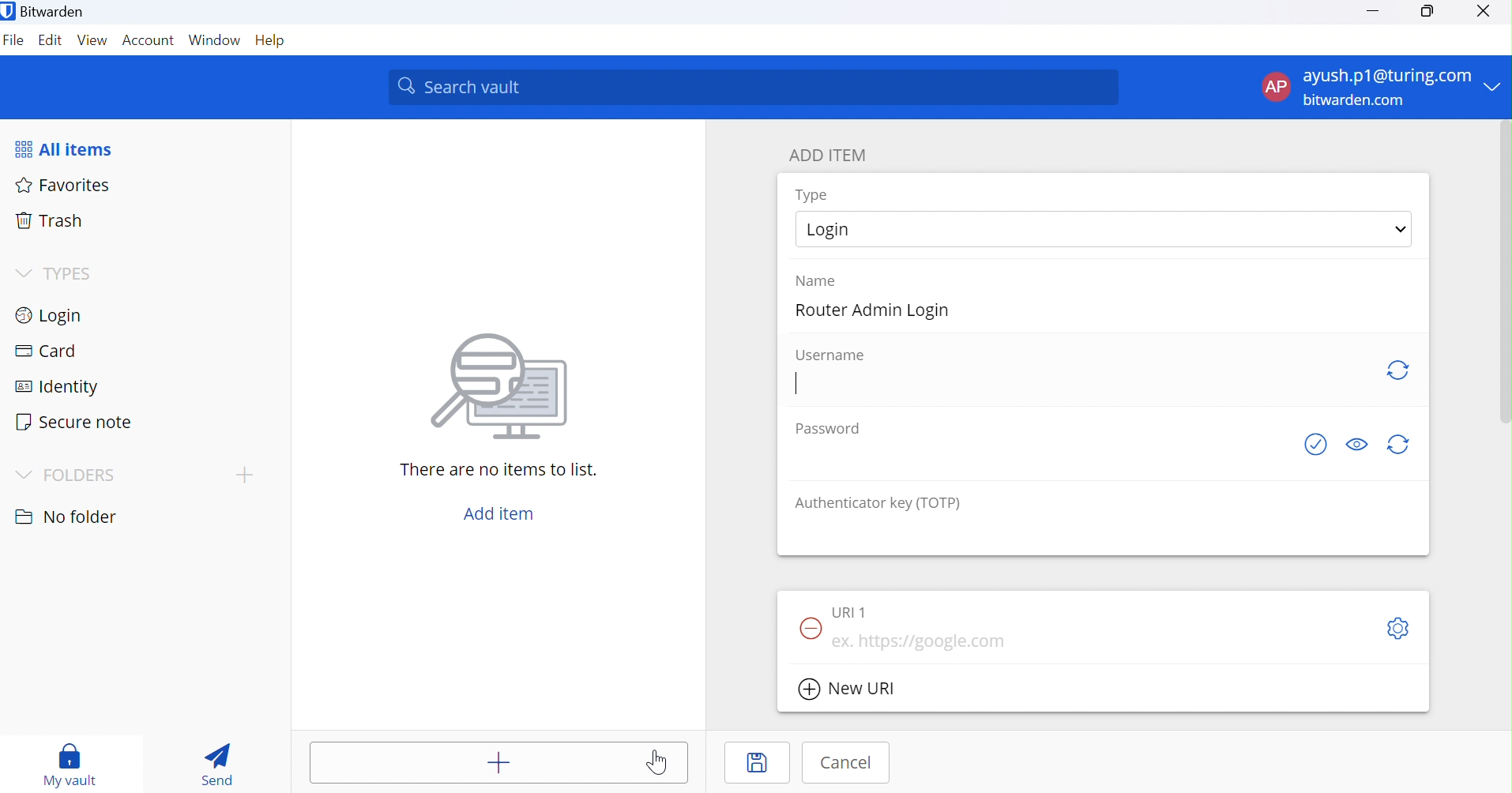 Image resolution: width=1512 pixels, height=793 pixels. I want to click on Login, so click(55, 314).